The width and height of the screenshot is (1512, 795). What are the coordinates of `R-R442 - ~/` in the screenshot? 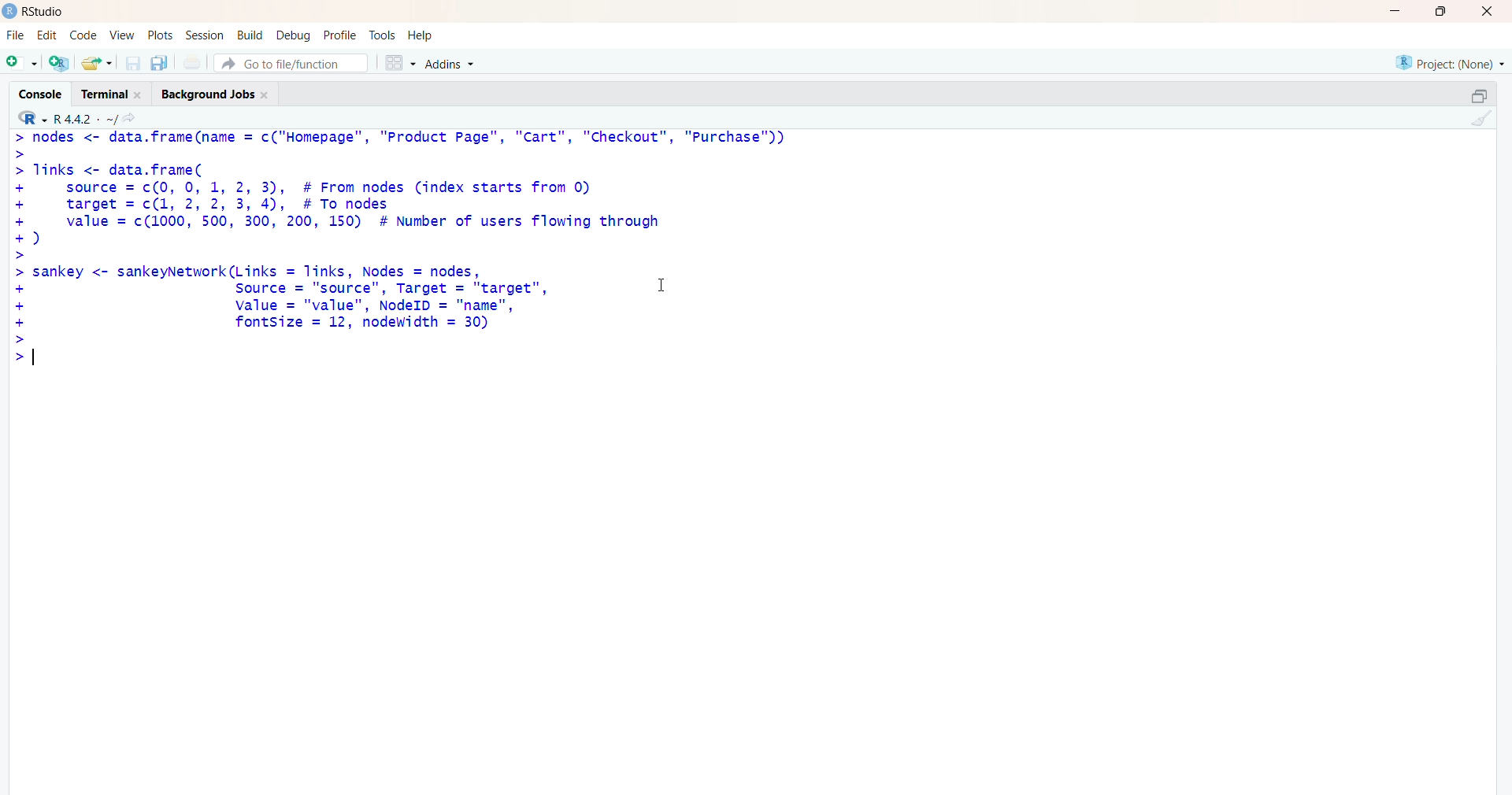 It's located at (101, 119).